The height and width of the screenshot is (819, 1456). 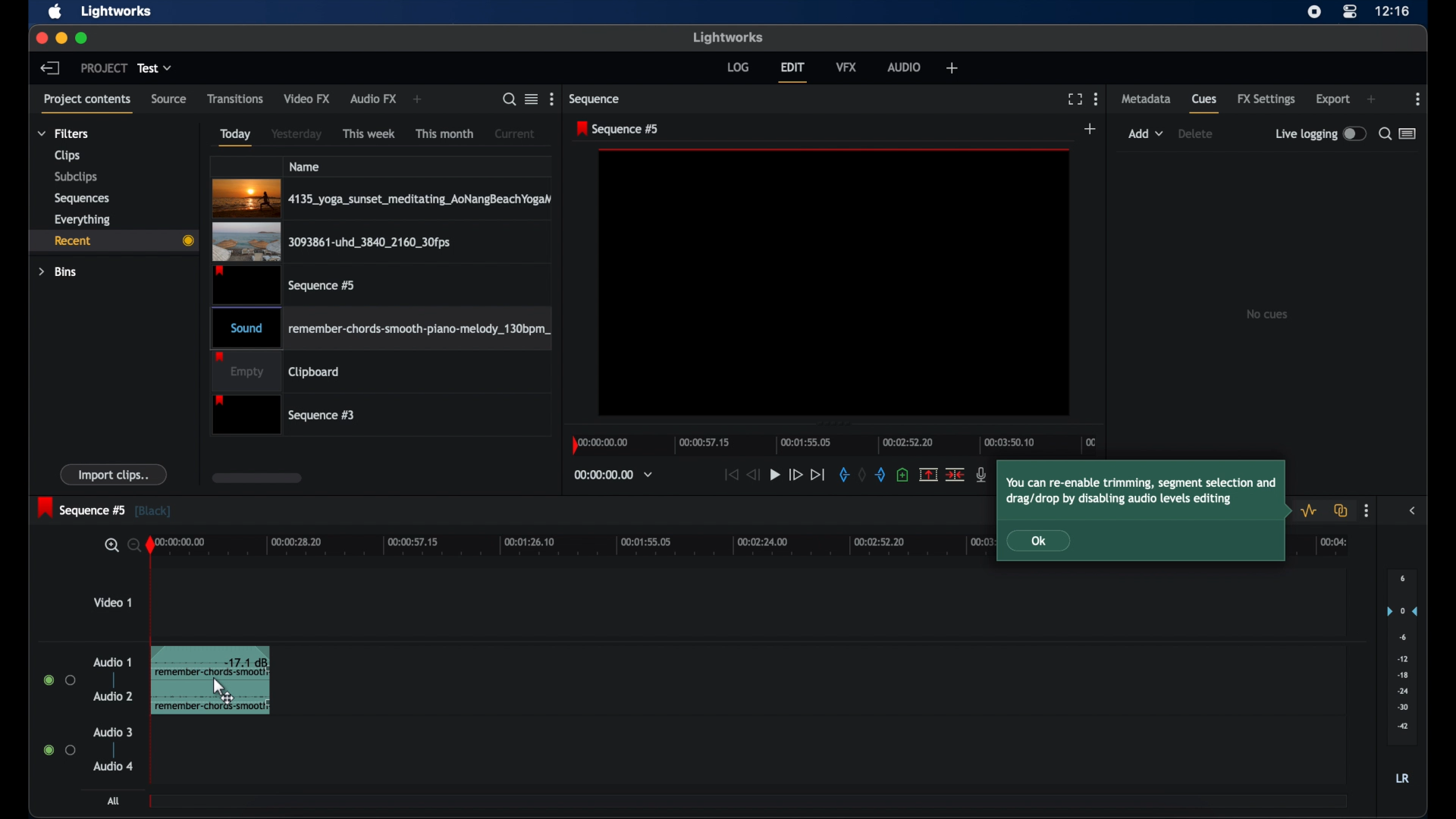 I want to click on yesterday, so click(x=297, y=134).